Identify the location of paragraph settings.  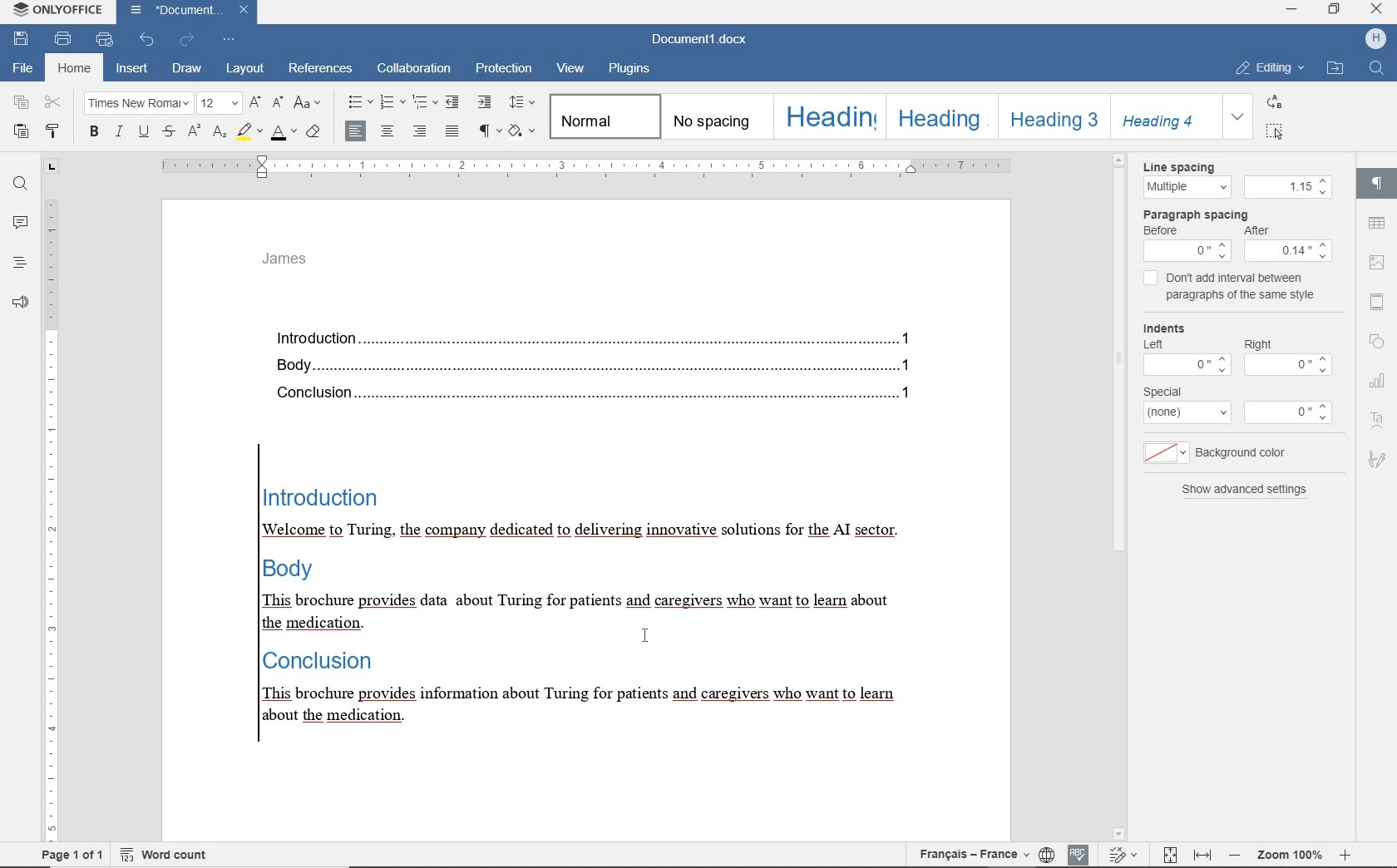
(1379, 184).